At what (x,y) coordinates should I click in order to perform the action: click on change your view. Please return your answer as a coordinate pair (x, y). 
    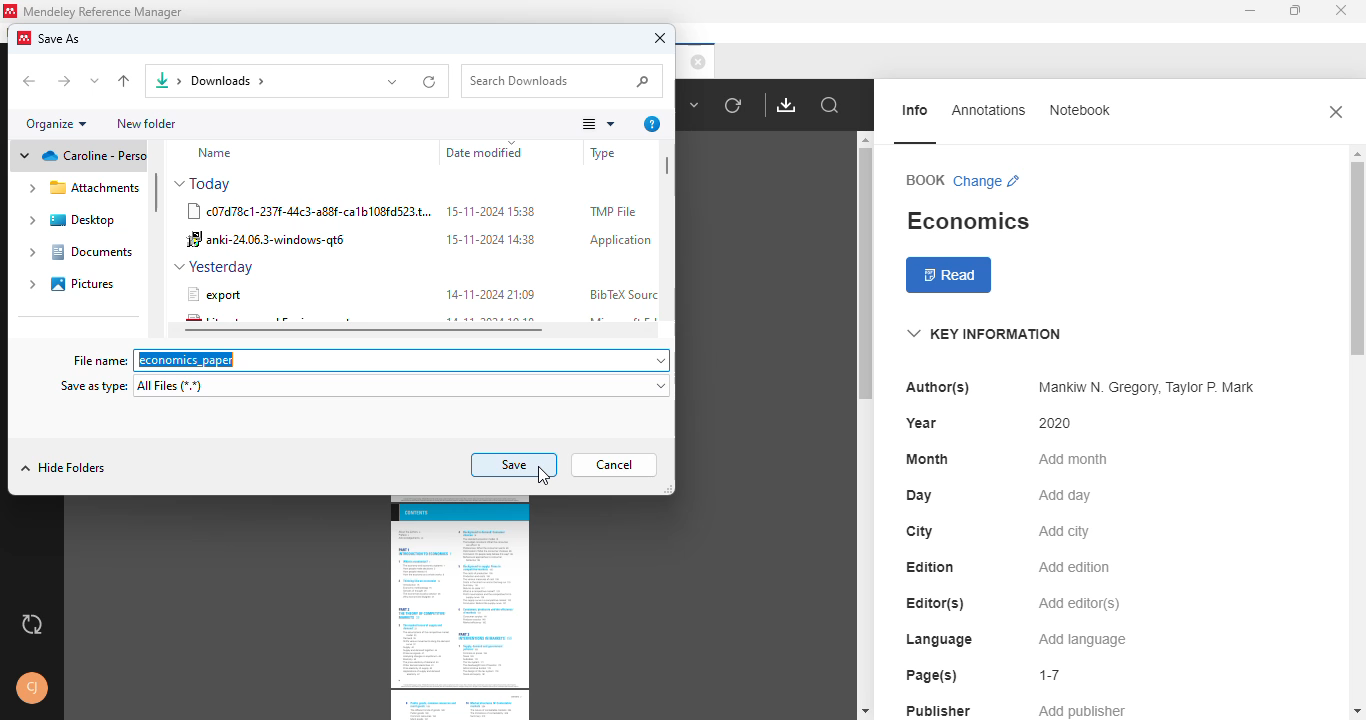
    Looking at the image, I should click on (598, 124).